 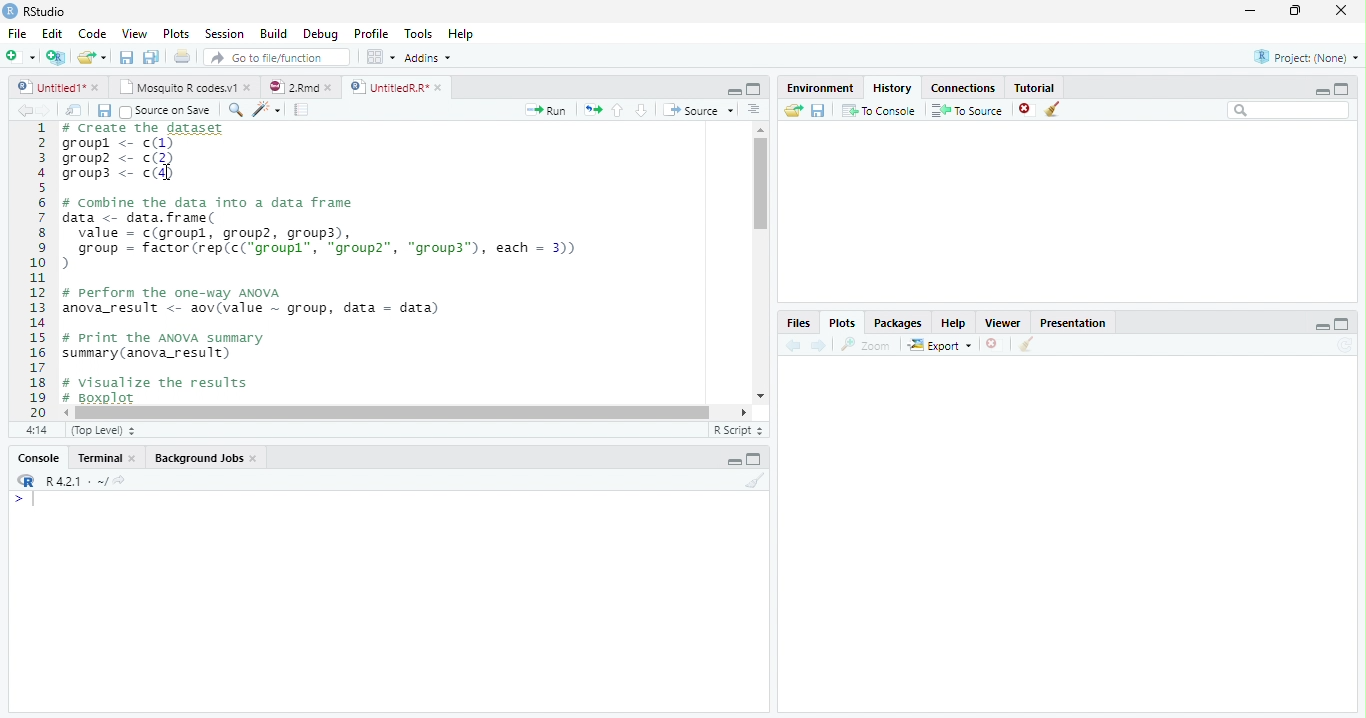 What do you see at coordinates (59, 87) in the screenshot?
I see `Untitled` at bounding box center [59, 87].